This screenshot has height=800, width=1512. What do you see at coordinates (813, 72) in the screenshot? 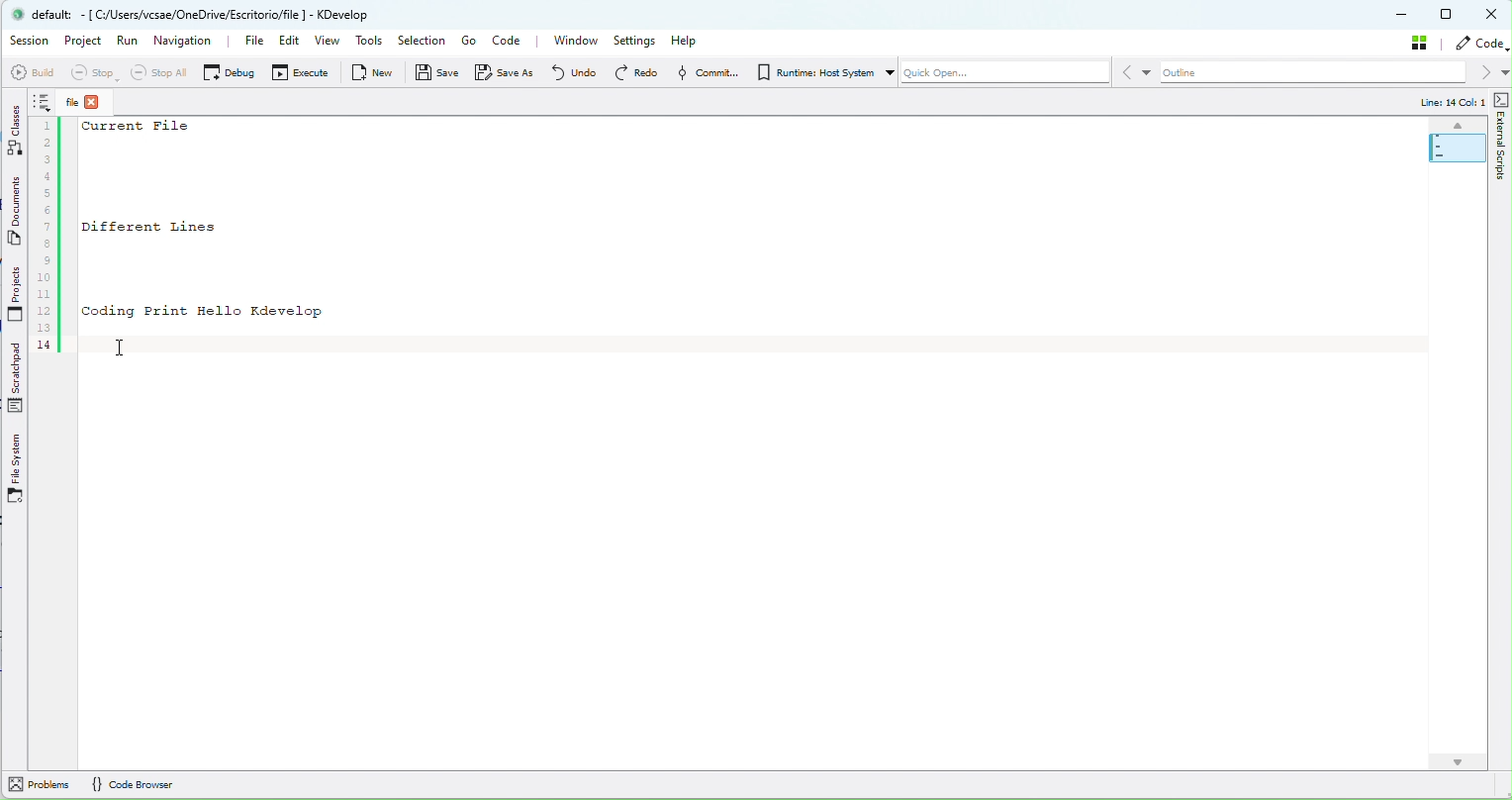
I see `Runtime: Host System` at bounding box center [813, 72].